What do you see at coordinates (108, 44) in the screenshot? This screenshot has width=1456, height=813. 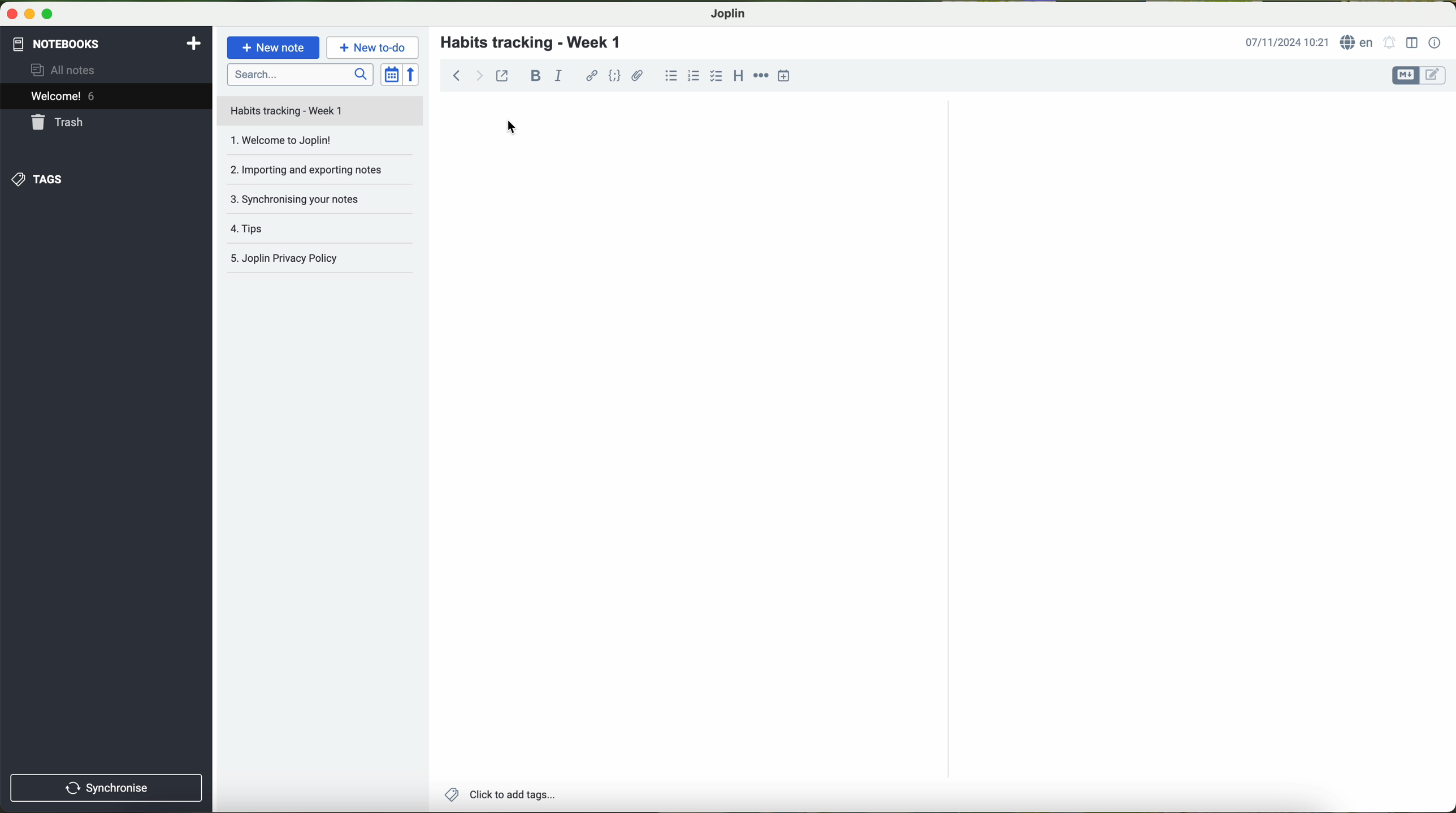 I see `notebooks tab` at bounding box center [108, 44].